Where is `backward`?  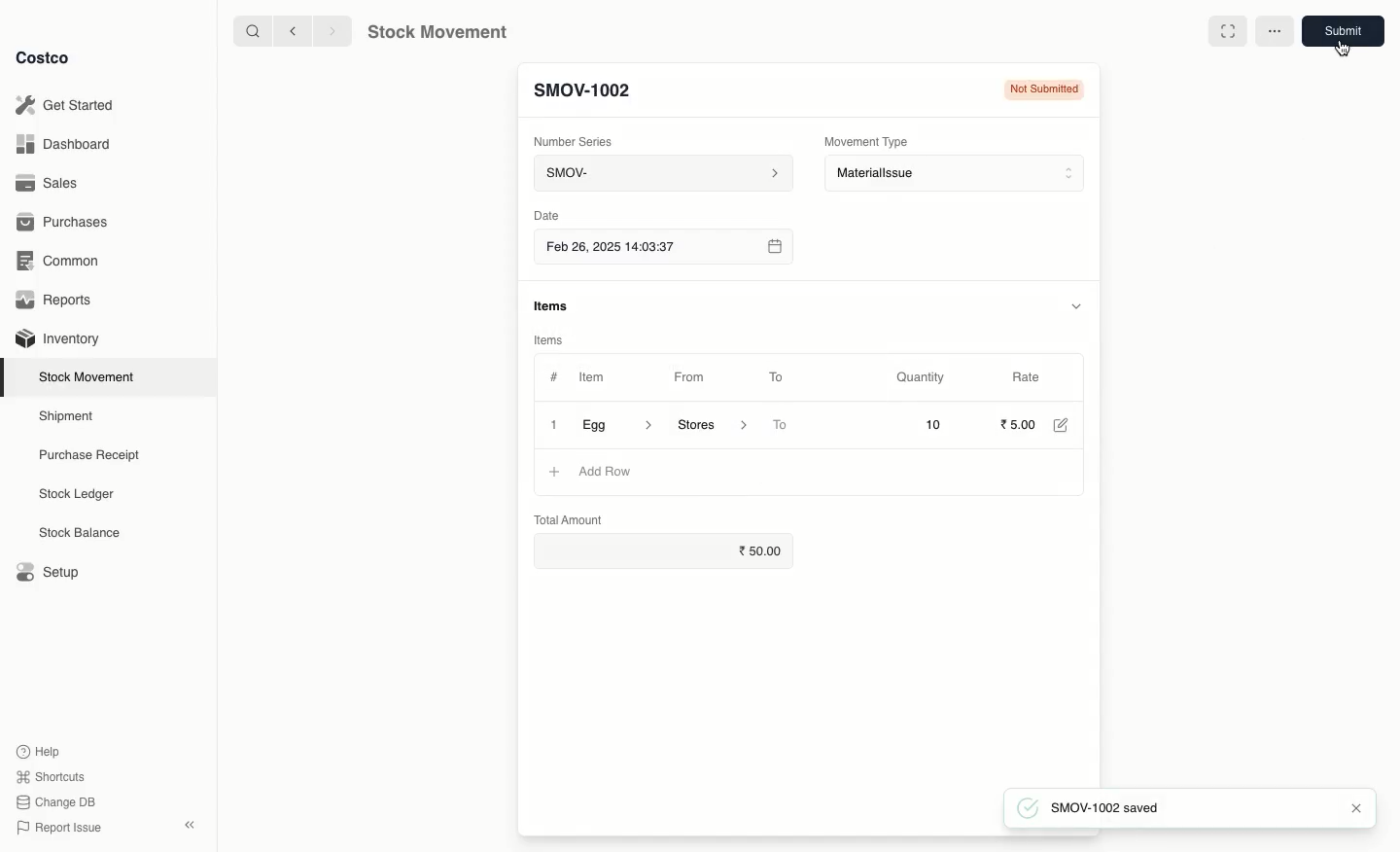 backward is located at coordinates (296, 32).